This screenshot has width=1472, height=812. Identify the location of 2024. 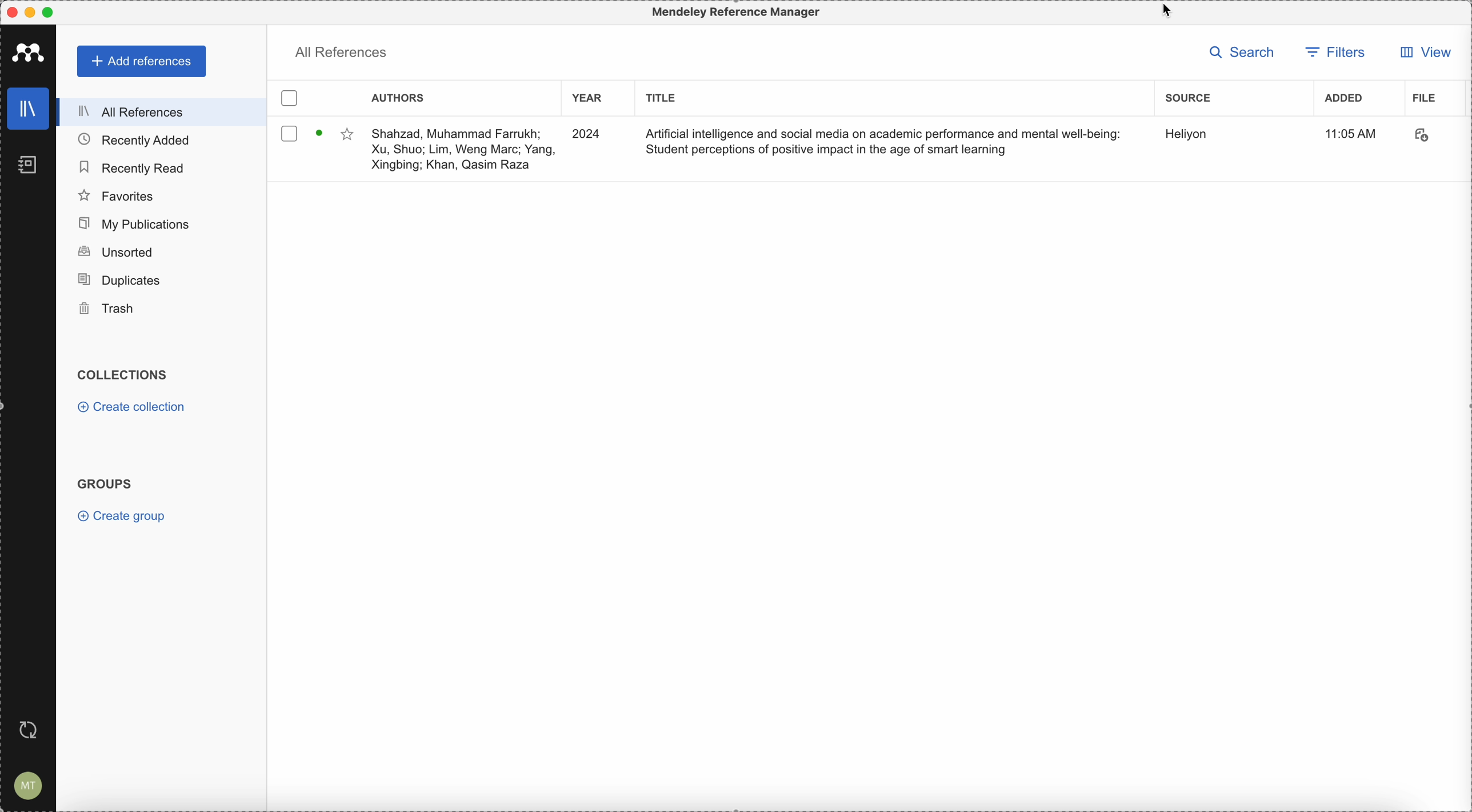
(586, 135).